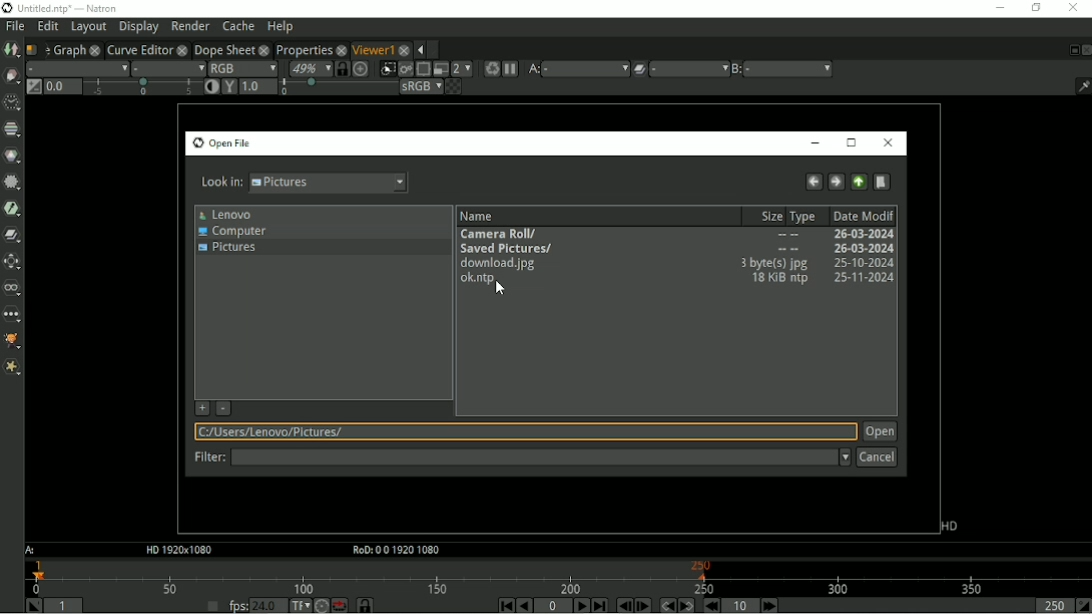 The height and width of the screenshot is (614, 1092). Describe the element at coordinates (420, 86) in the screenshot. I see `Color process` at that location.